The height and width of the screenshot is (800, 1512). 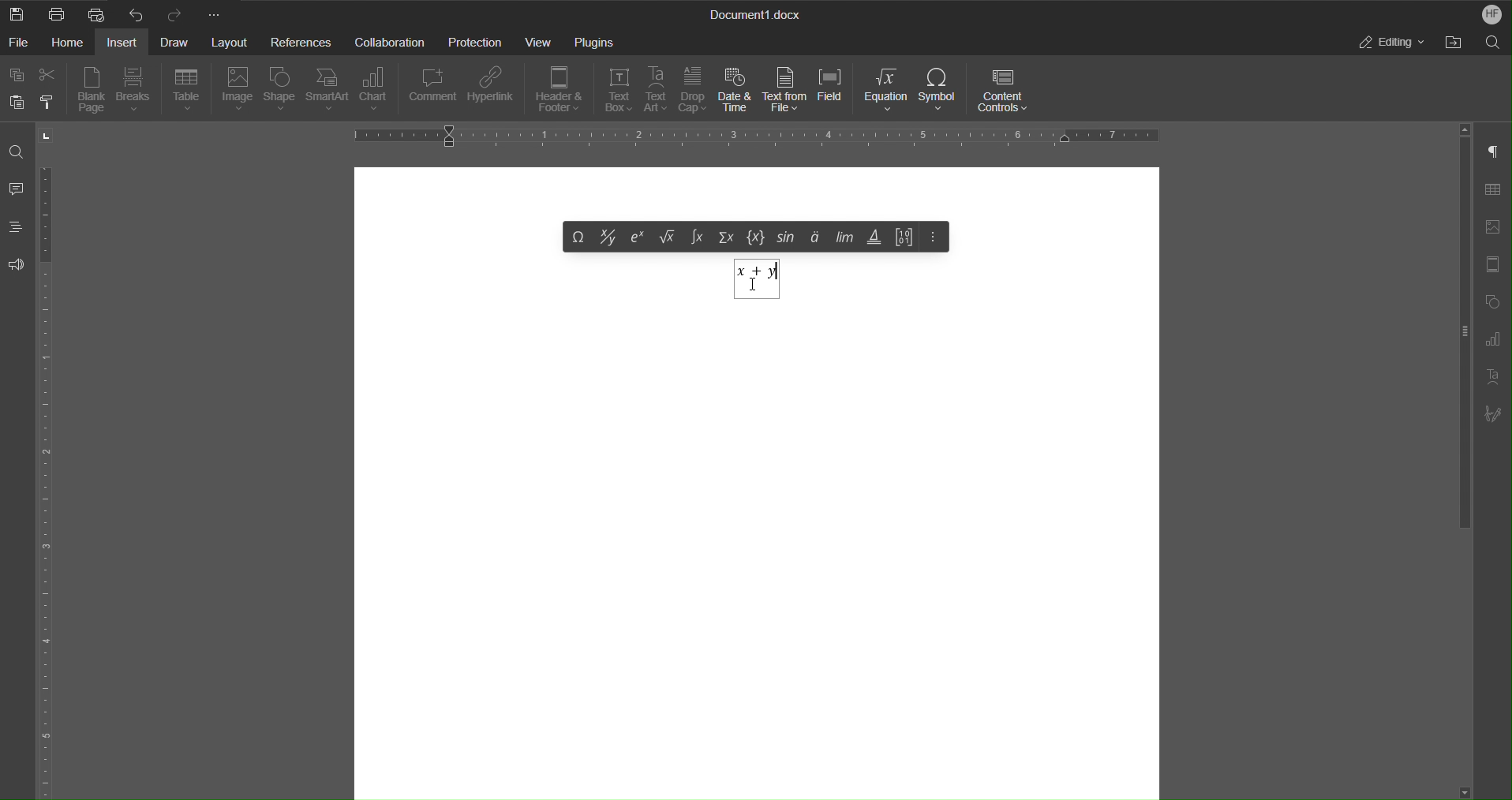 I want to click on Header & Footer, so click(x=560, y=90).